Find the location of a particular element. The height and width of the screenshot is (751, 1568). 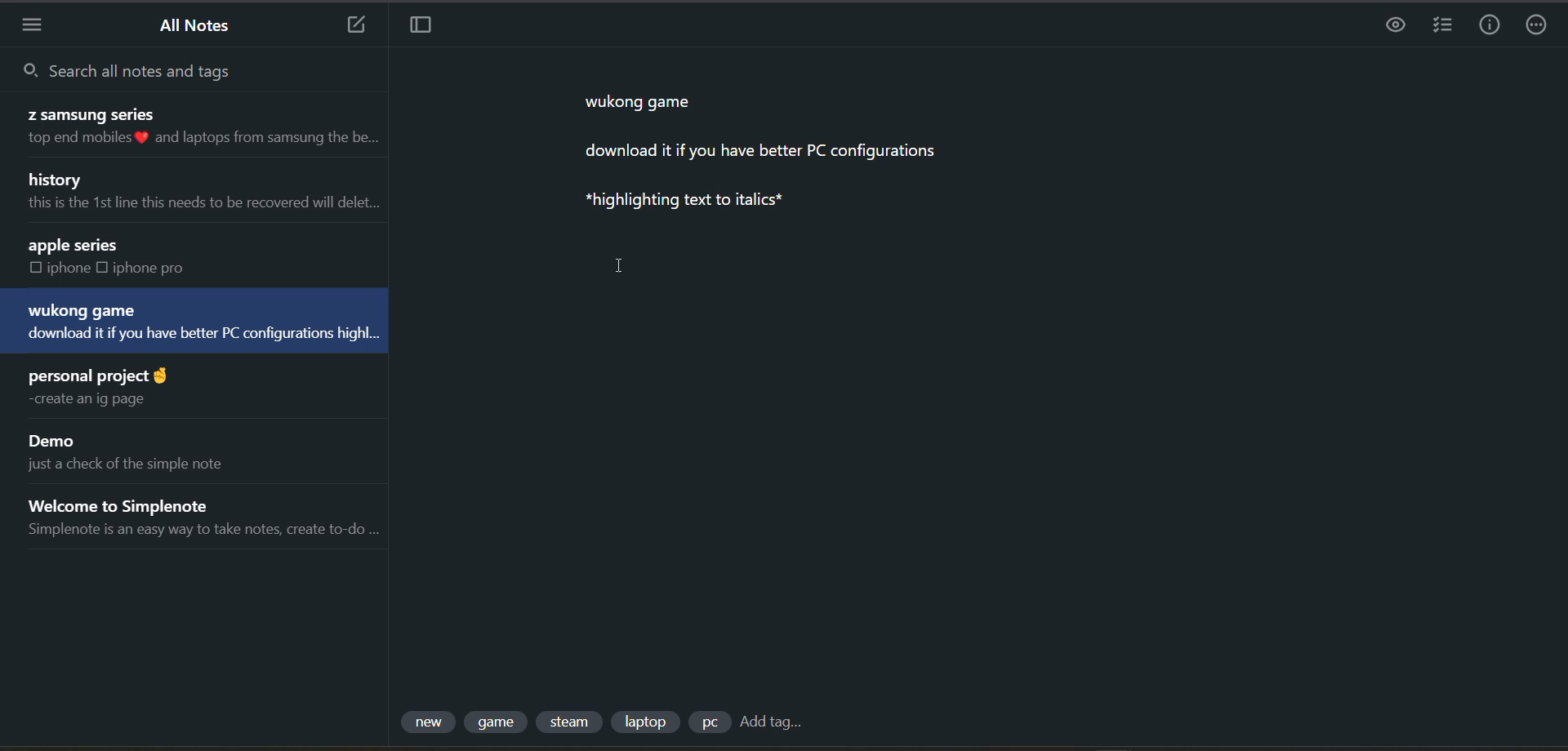

tag 1 is located at coordinates (427, 722).